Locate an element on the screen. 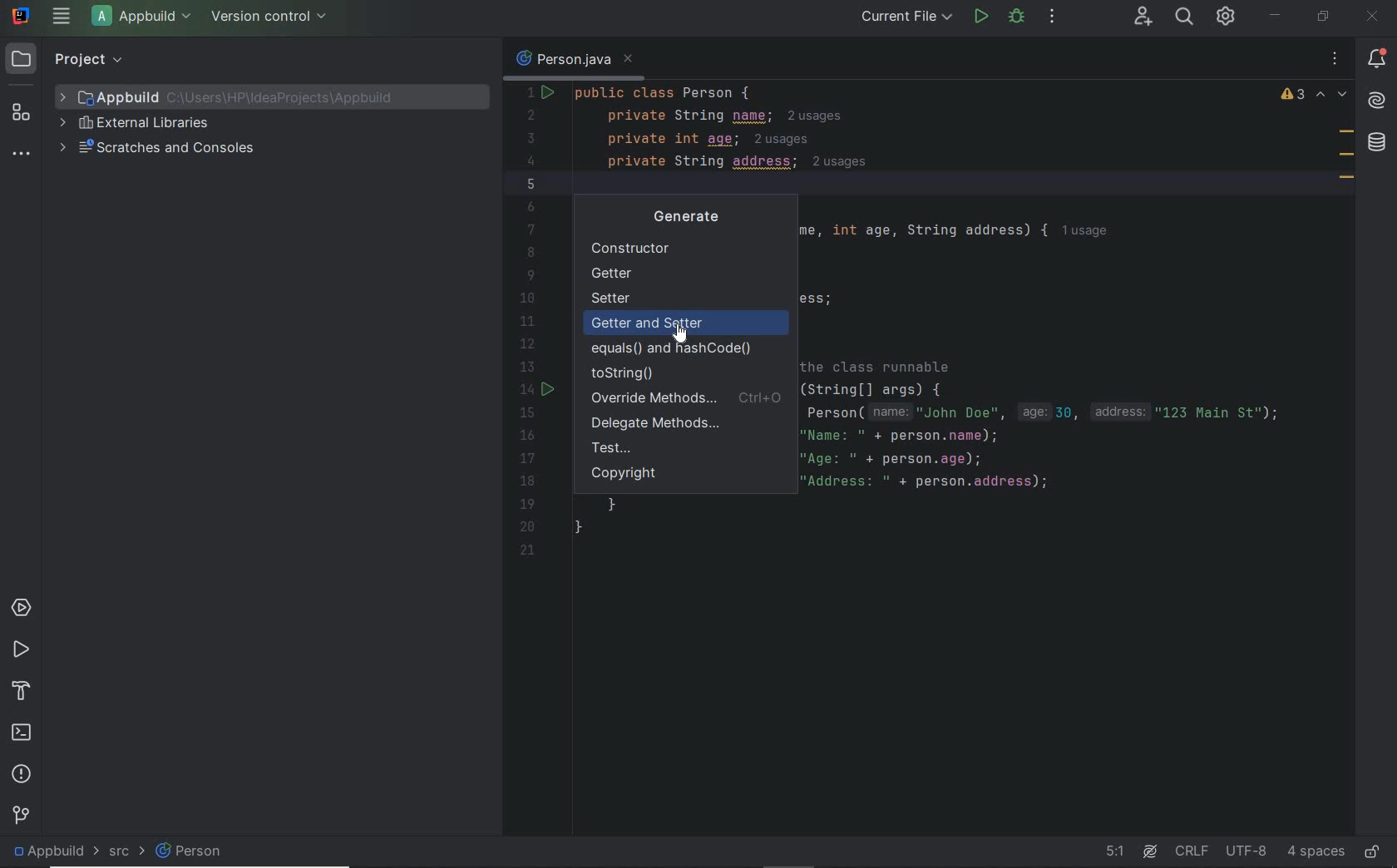  line separator is located at coordinates (1192, 852).